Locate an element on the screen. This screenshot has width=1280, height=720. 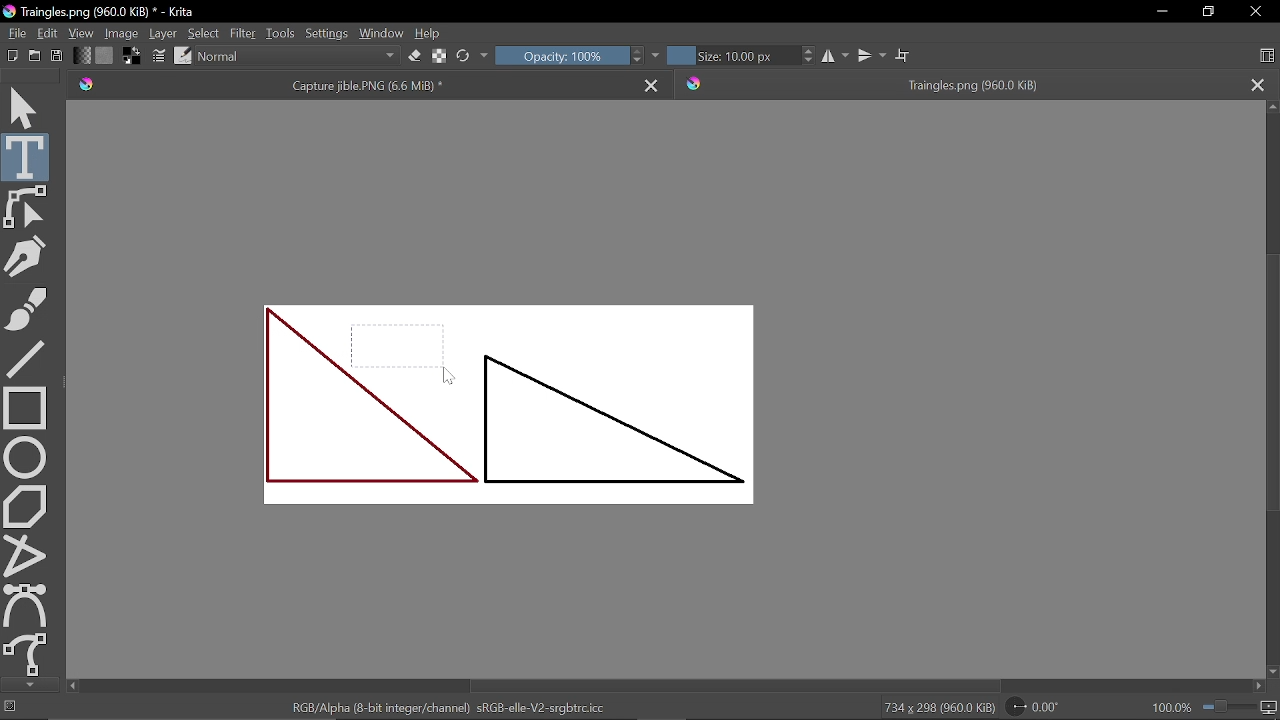
Rotate is located at coordinates (1044, 708).